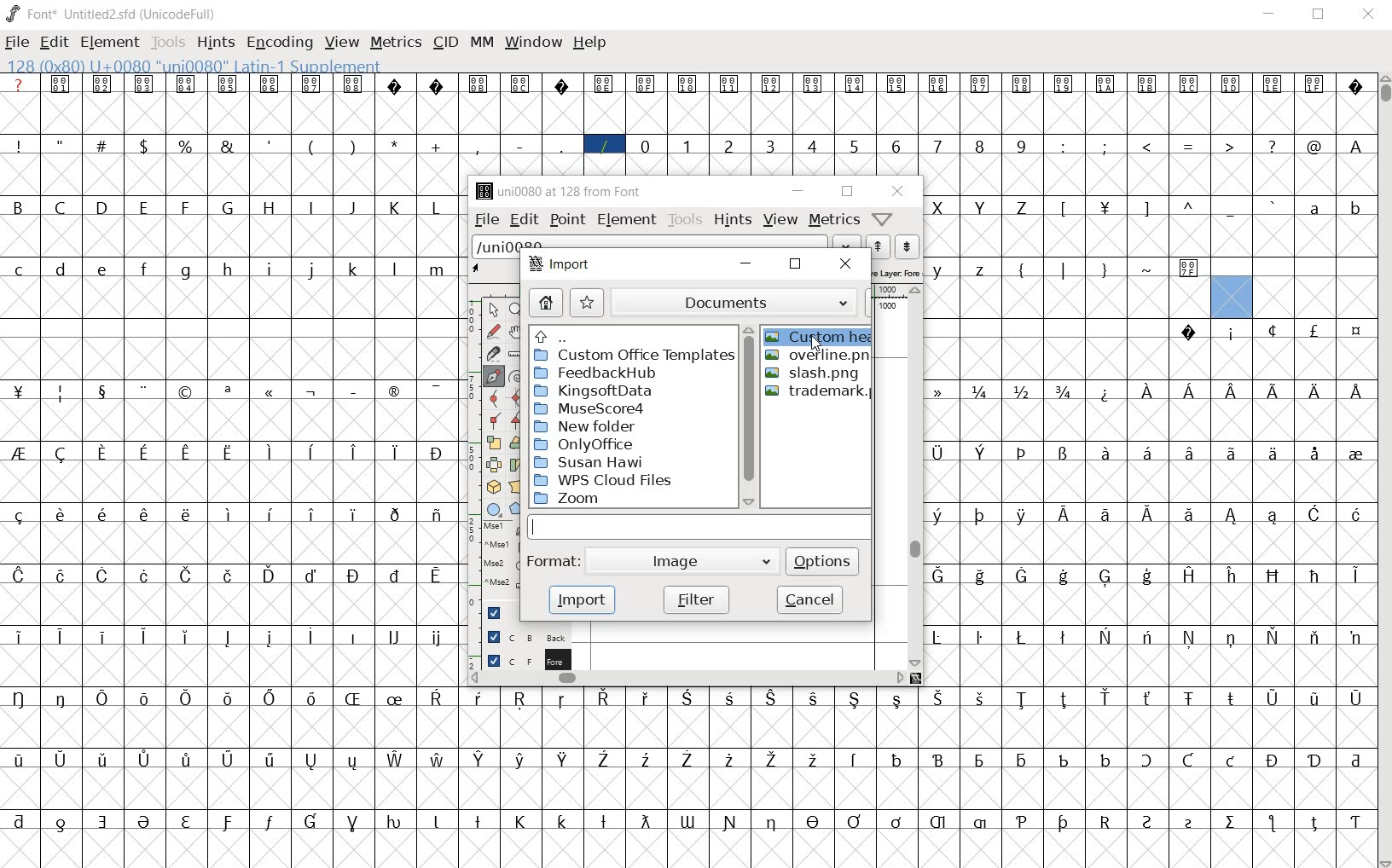 The width and height of the screenshot is (1392, 868). What do you see at coordinates (939, 698) in the screenshot?
I see `glyph` at bounding box center [939, 698].